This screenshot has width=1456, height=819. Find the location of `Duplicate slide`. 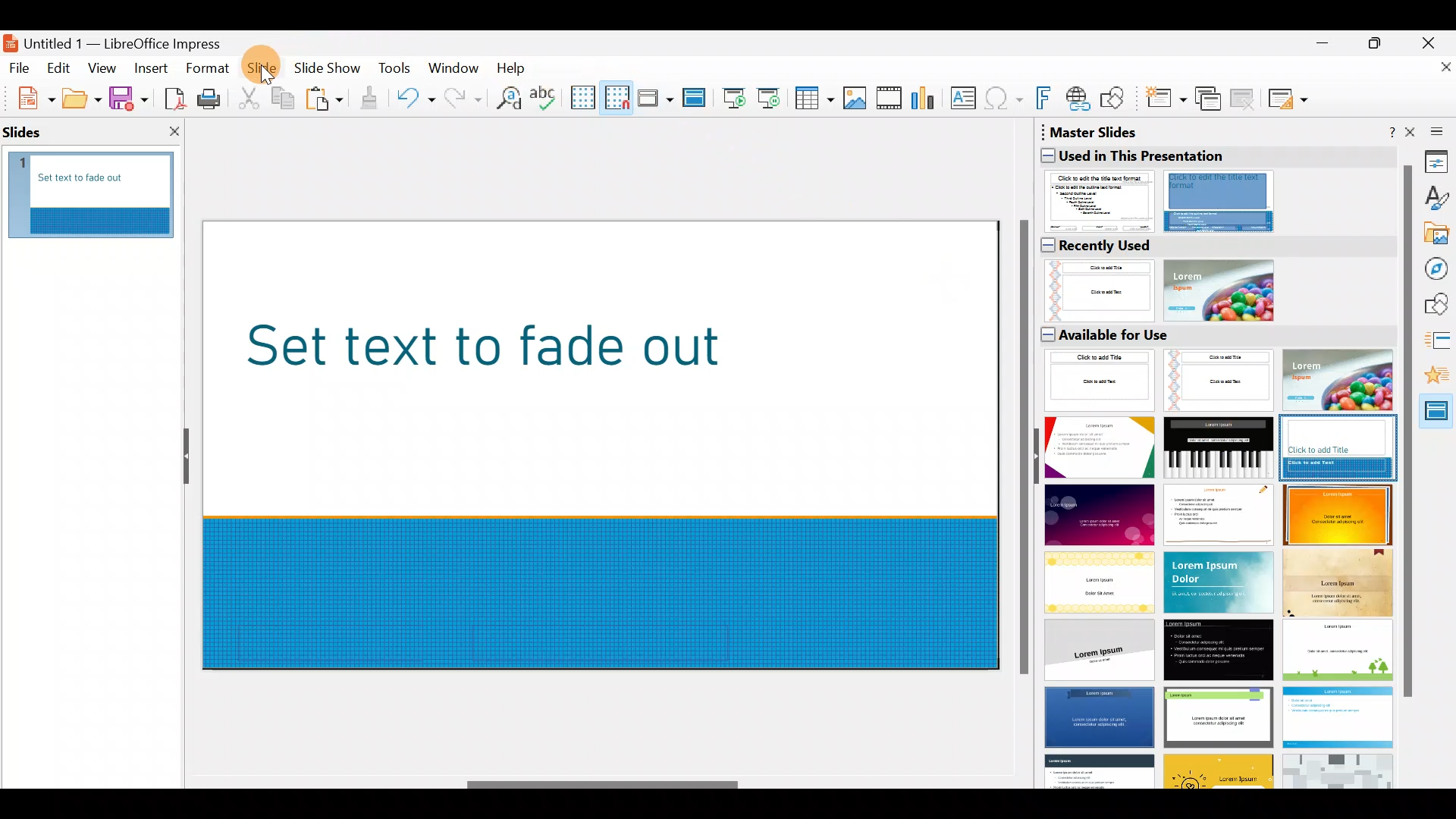

Duplicate slide is located at coordinates (1210, 99).